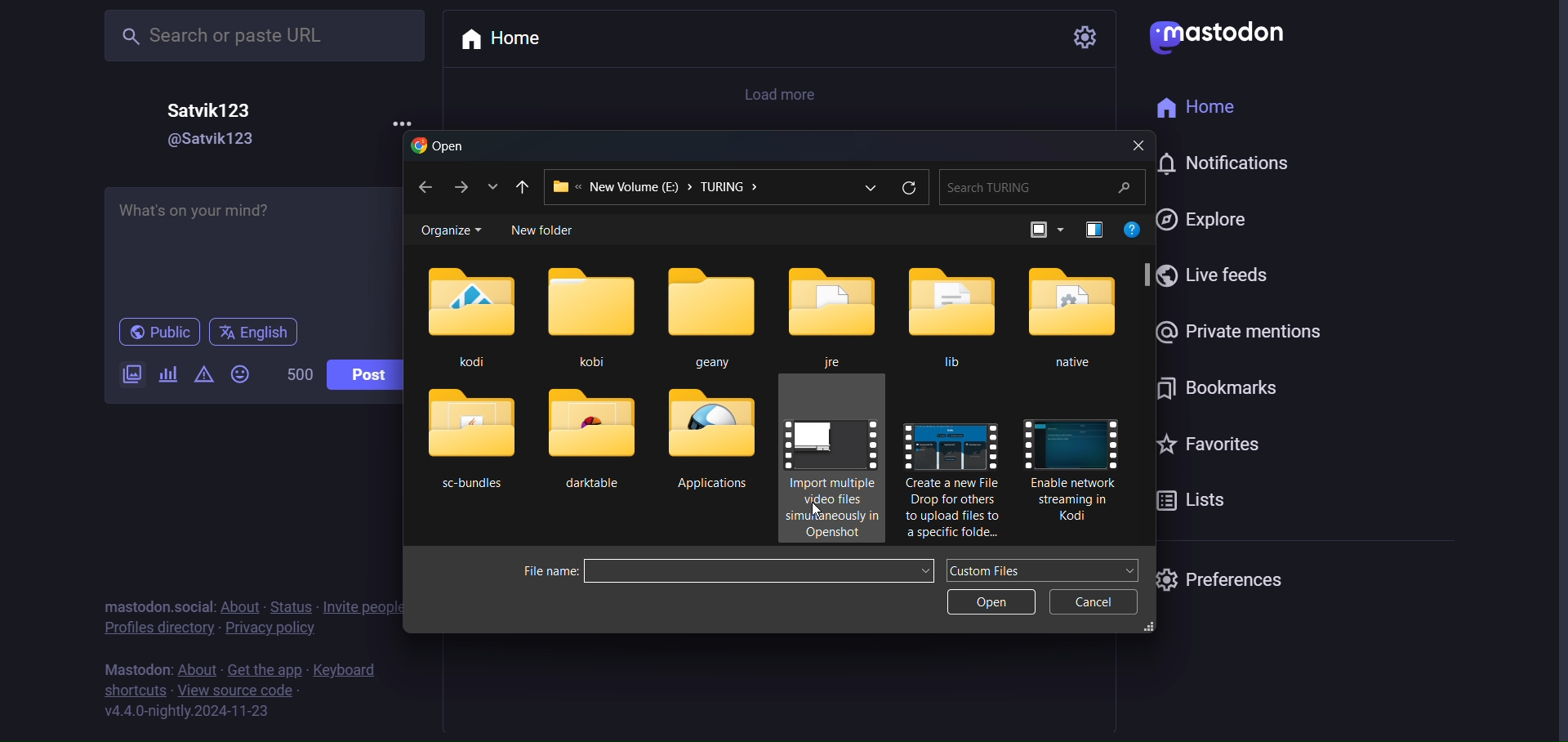 Image resolution: width=1568 pixels, height=742 pixels. I want to click on bookmark, so click(1215, 391).